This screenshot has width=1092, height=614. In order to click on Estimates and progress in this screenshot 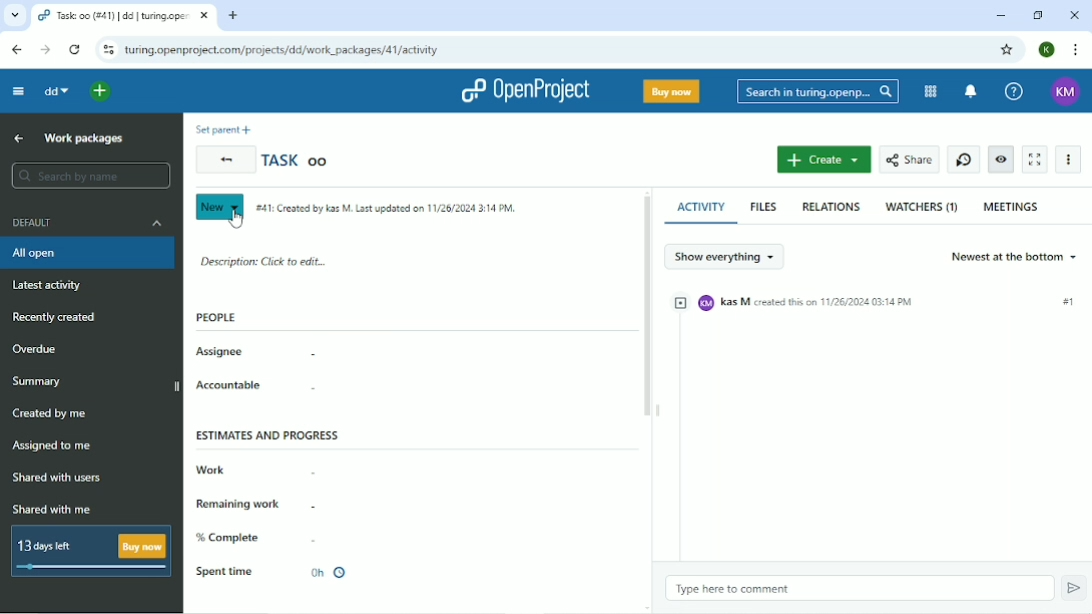, I will do `click(268, 435)`.